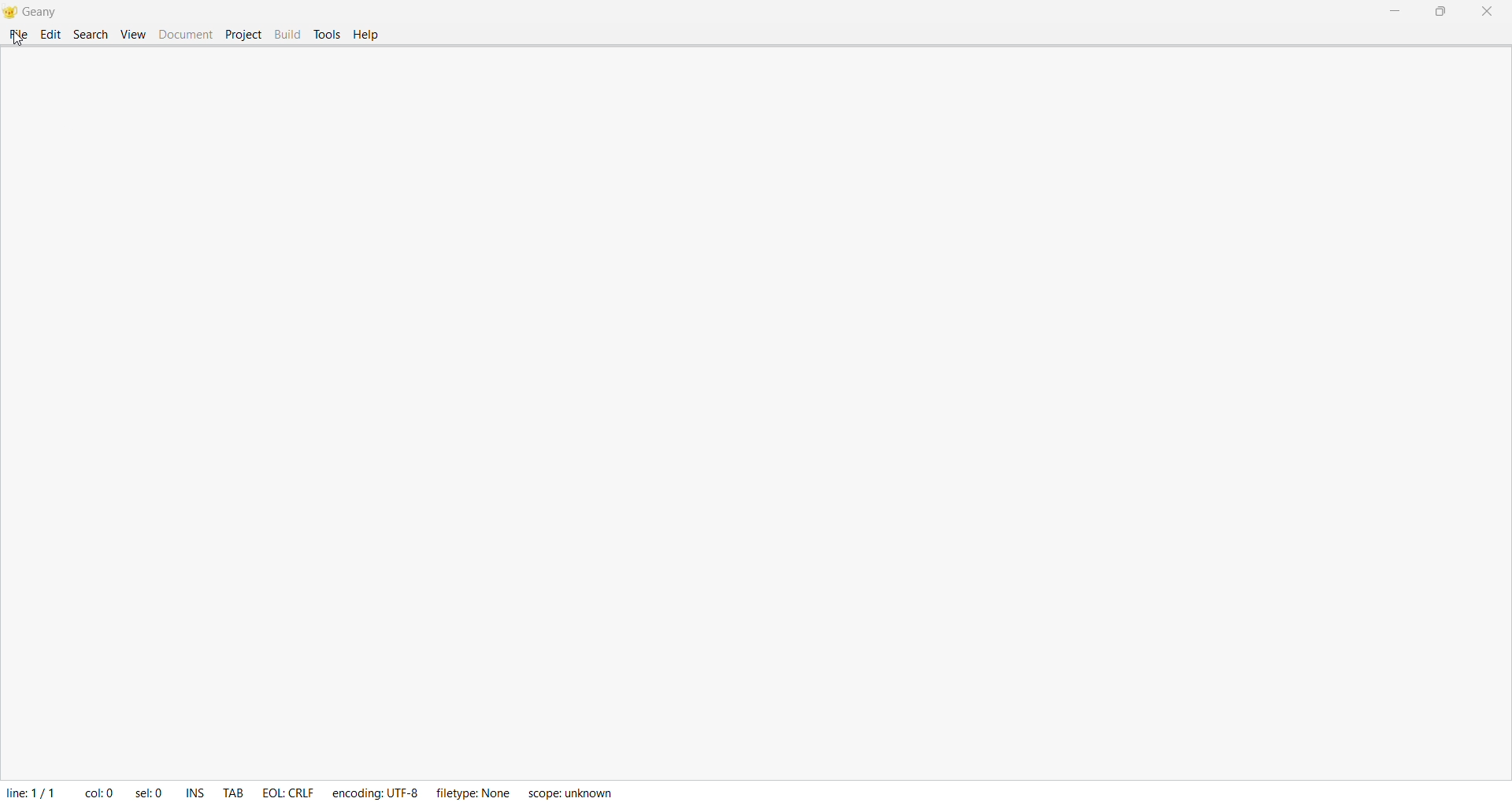  What do you see at coordinates (19, 39) in the screenshot?
I see `cursor` at bounding box center [19, 39].